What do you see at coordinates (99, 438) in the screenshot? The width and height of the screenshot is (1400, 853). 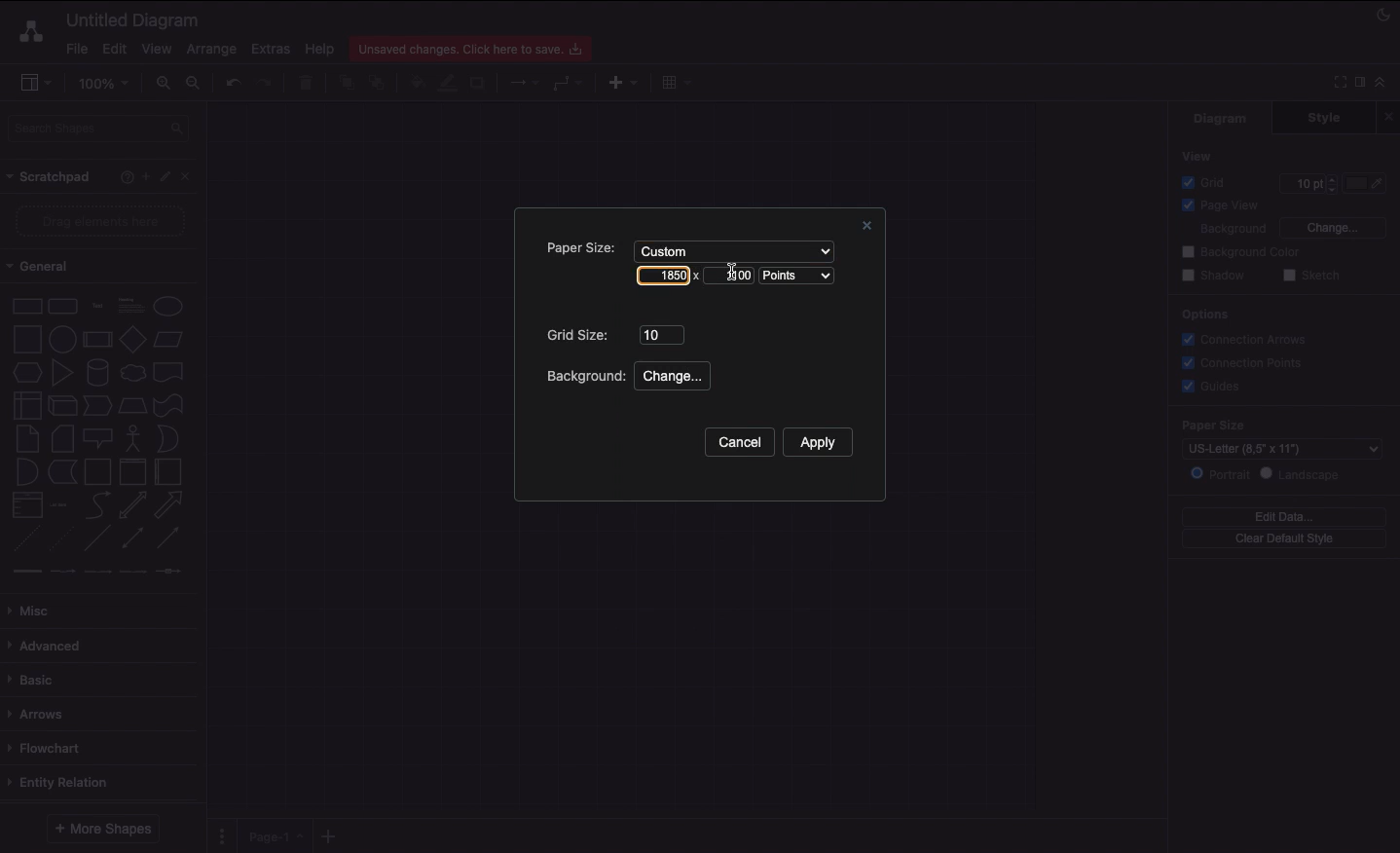 I see `Callout` at bounding box center [99, 438].